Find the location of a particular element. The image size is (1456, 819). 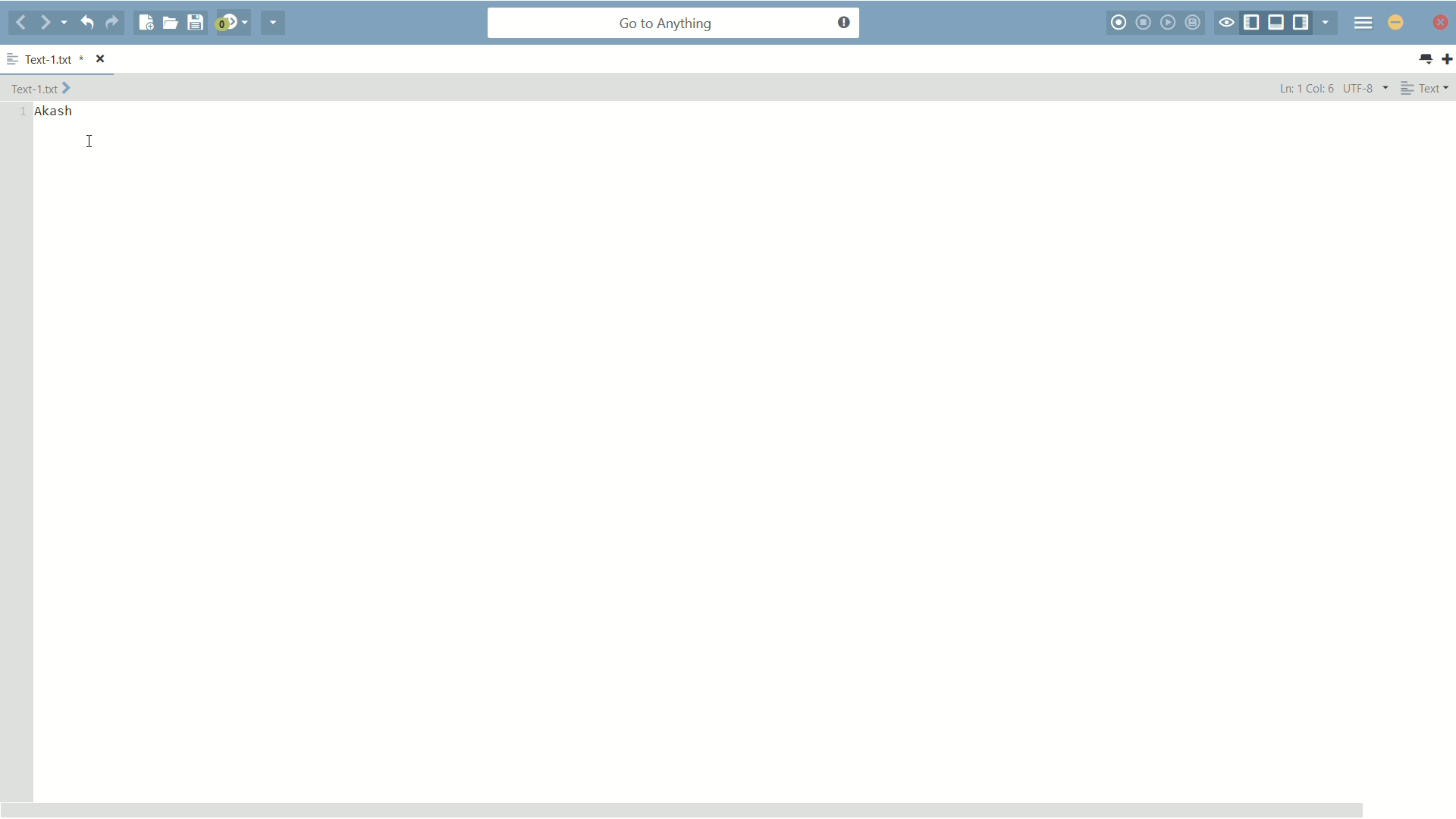

open a file is located at coordinates (170, 24).